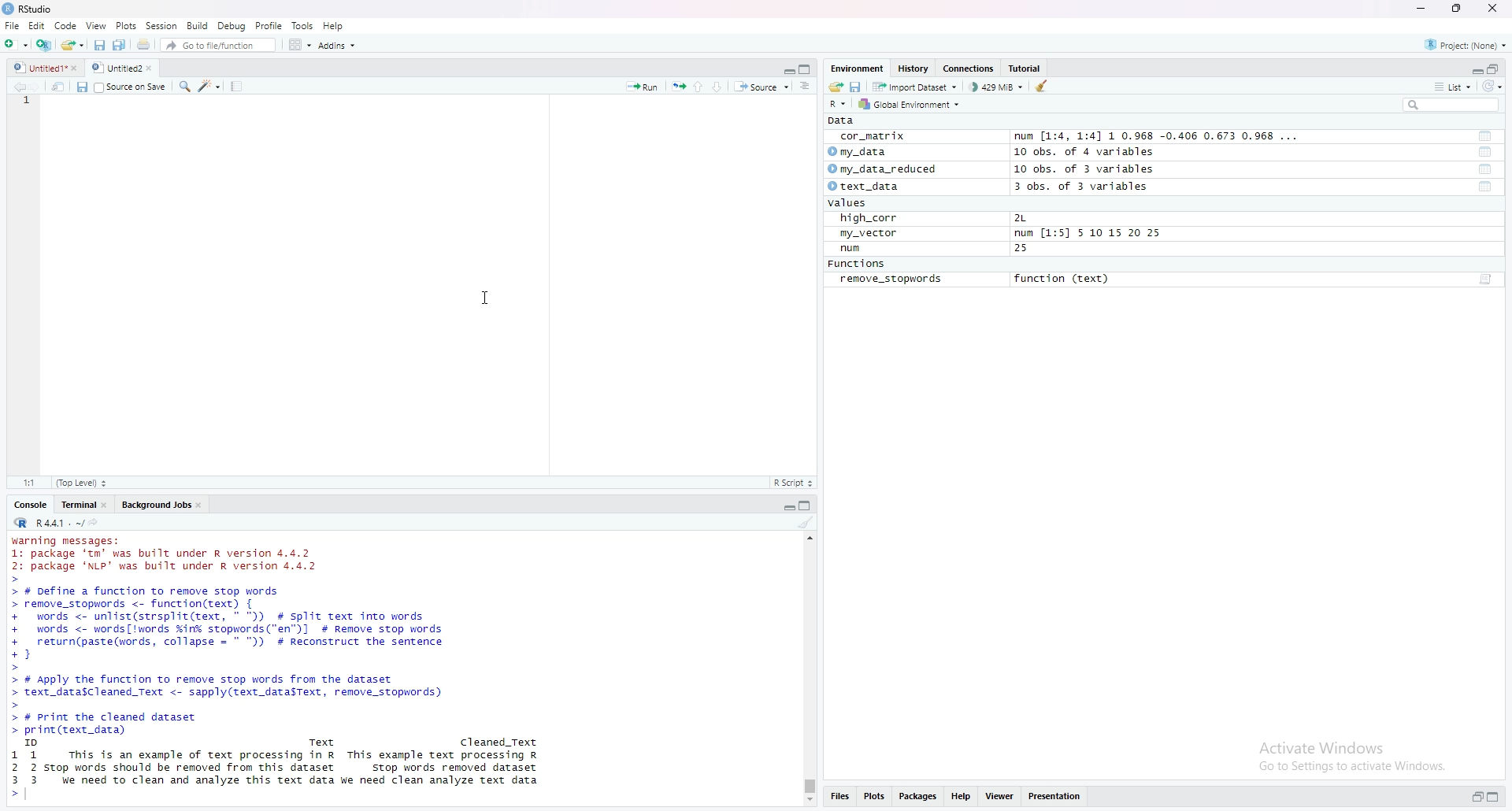  Describe the element at coordinates (697, 87) in the screenshot. I see `Previous section` at that location.